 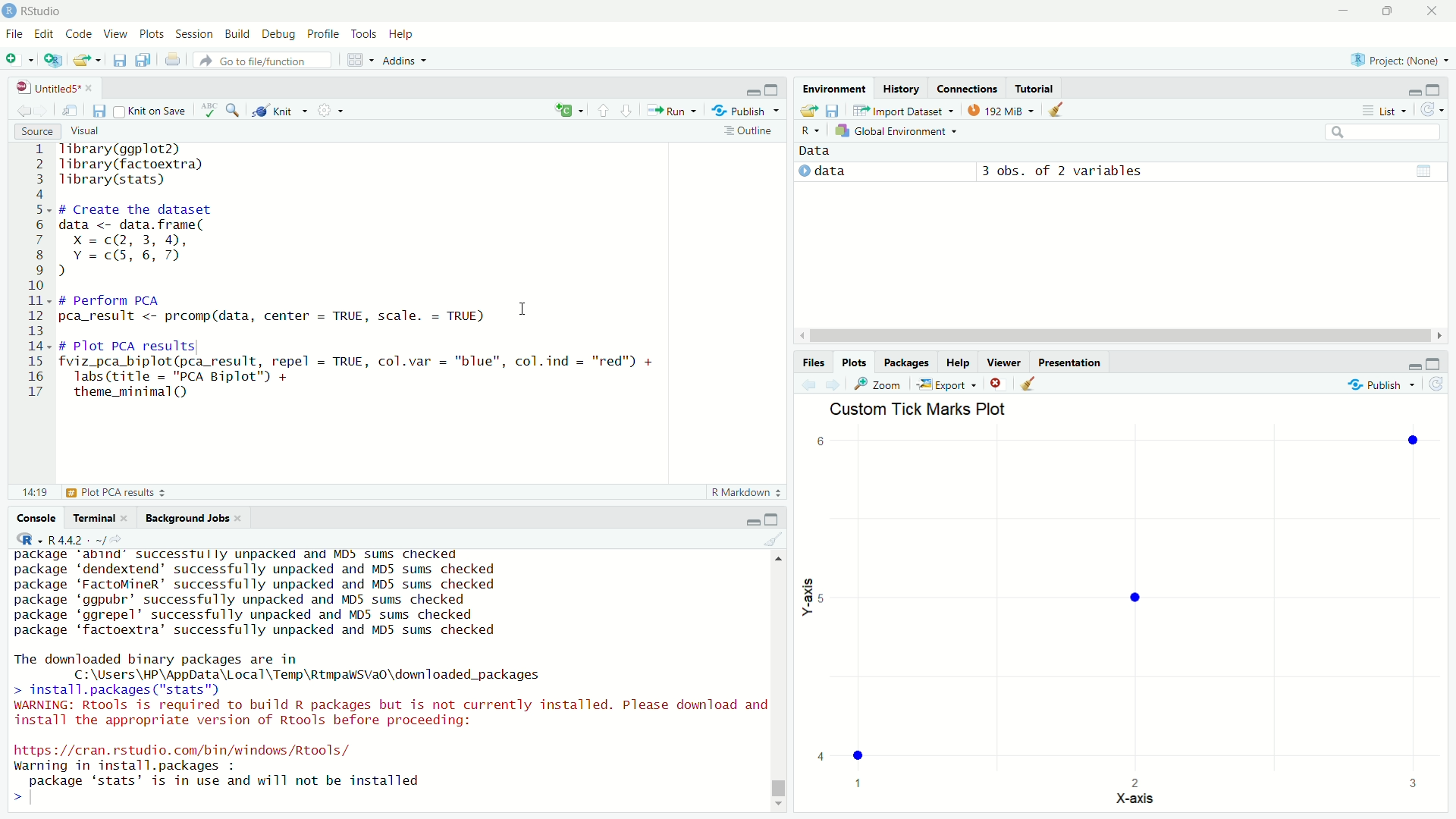 I want to click on horizontal scrollbar, so click(x=1119, y=336).